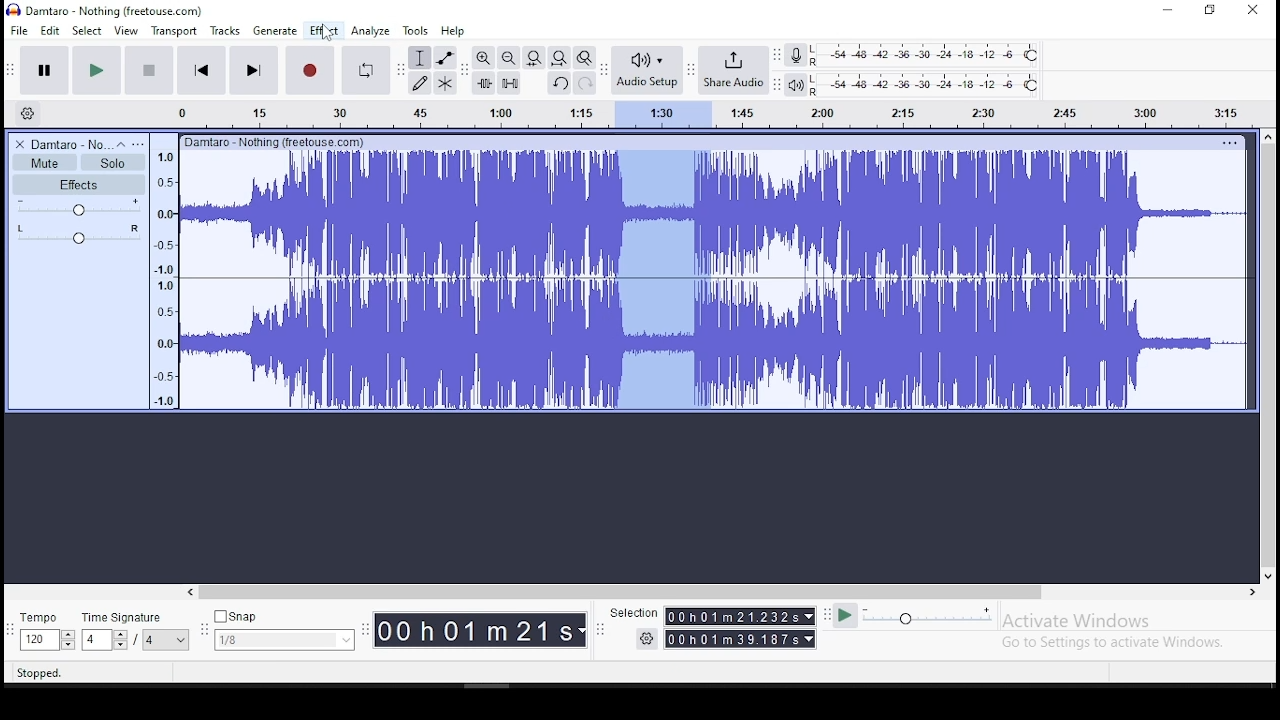 Image resolution: width=1280 pixels, height=720 pixels. I want to click on record, so click(308, 70).